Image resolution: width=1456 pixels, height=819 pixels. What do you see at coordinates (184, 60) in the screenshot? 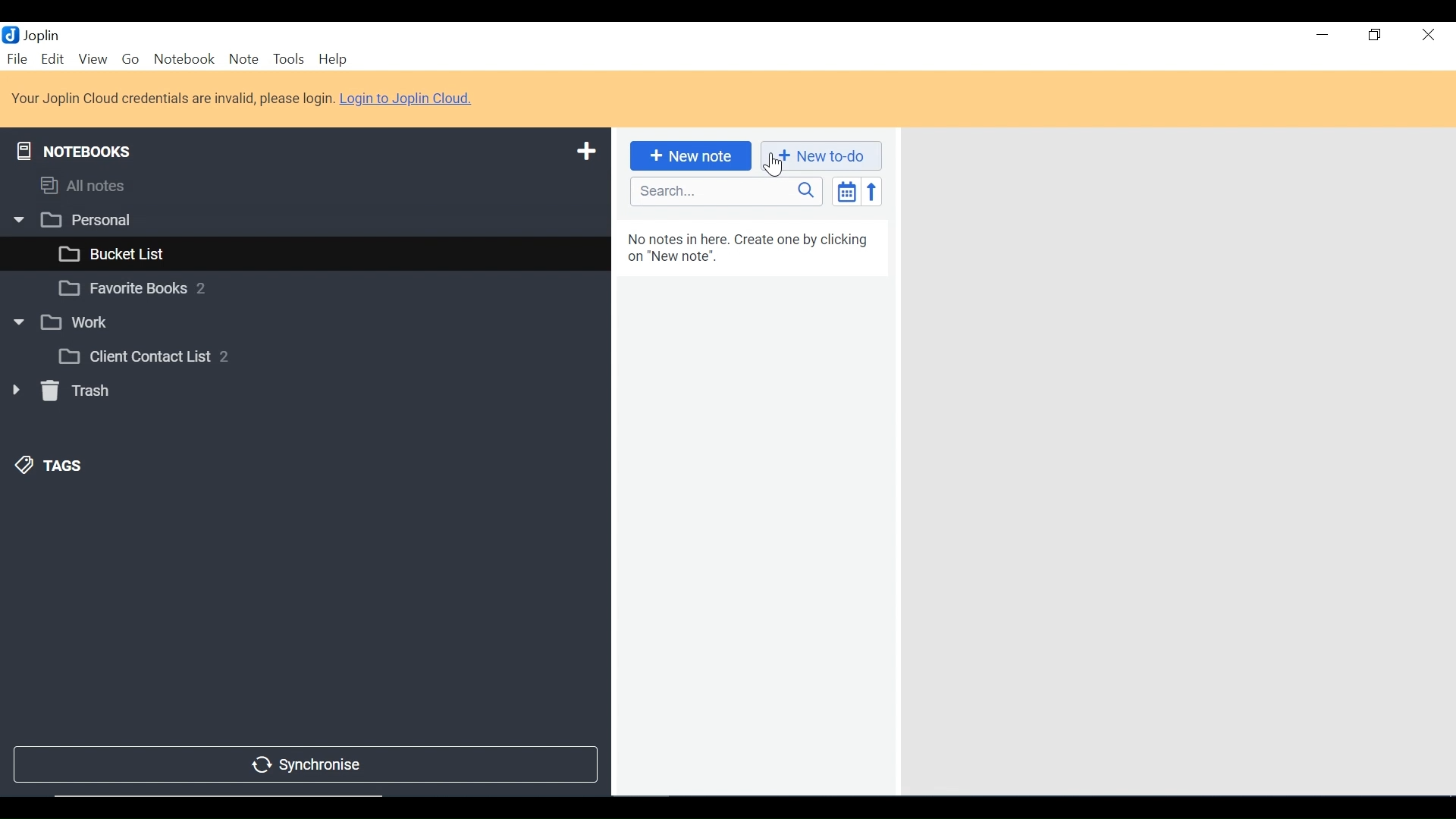
I see `Notebook` at bounding box center [184, 60].